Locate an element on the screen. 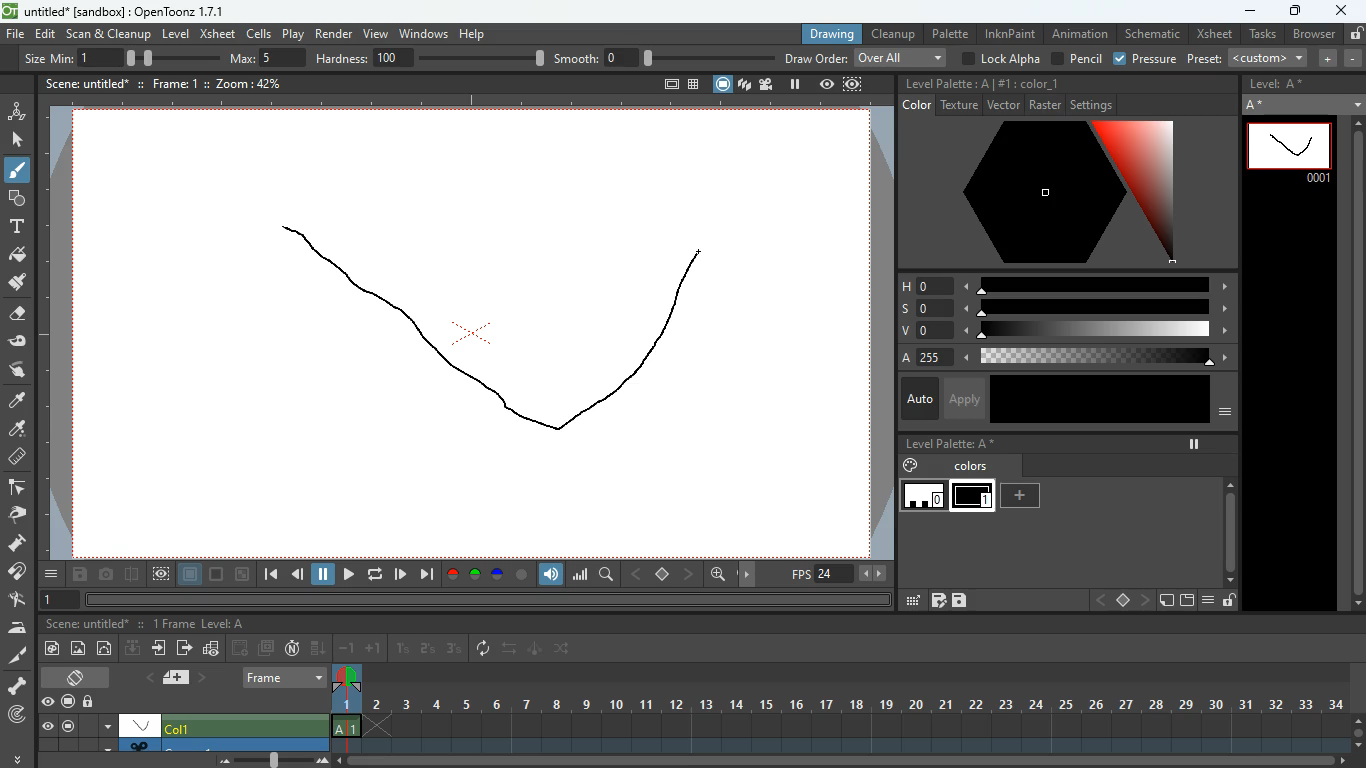 Image resolution: width=1366 pixels, height=768 pixels. erase is located at coordinates (15, 315).